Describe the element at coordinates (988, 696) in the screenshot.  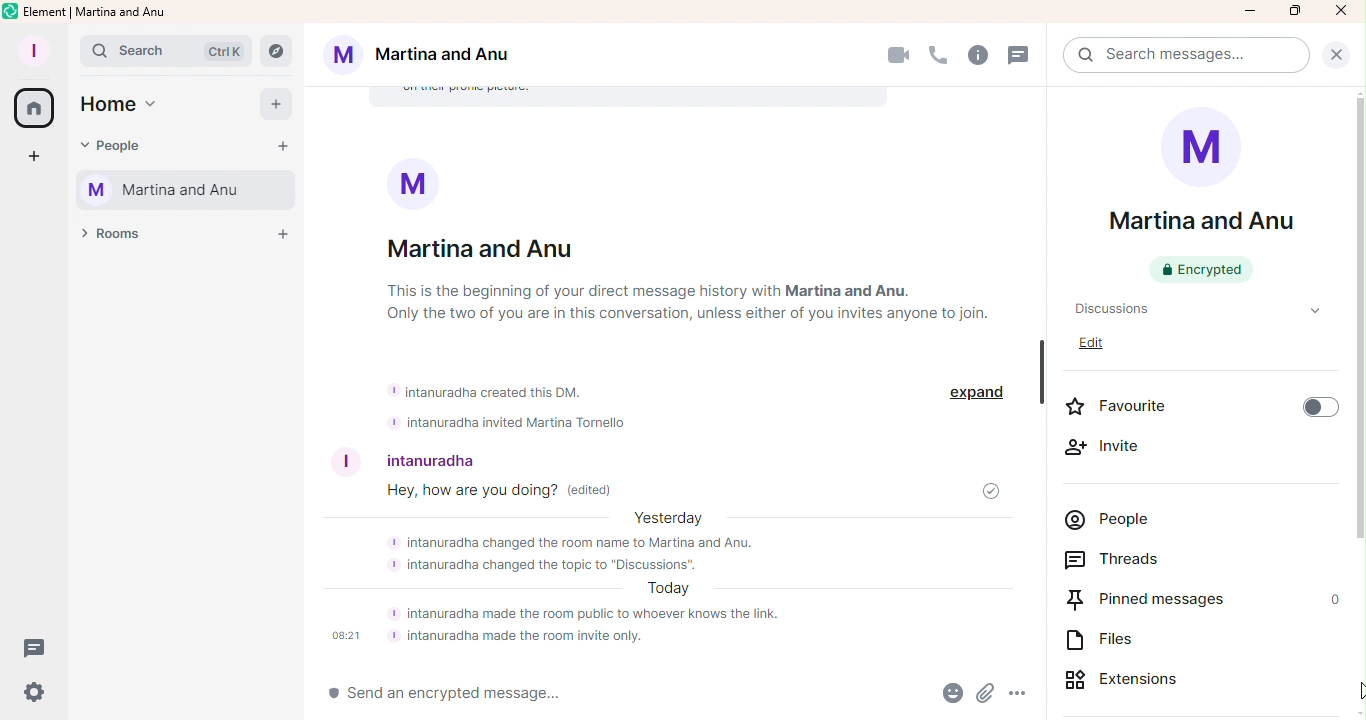
I see `Attachment` at that location.